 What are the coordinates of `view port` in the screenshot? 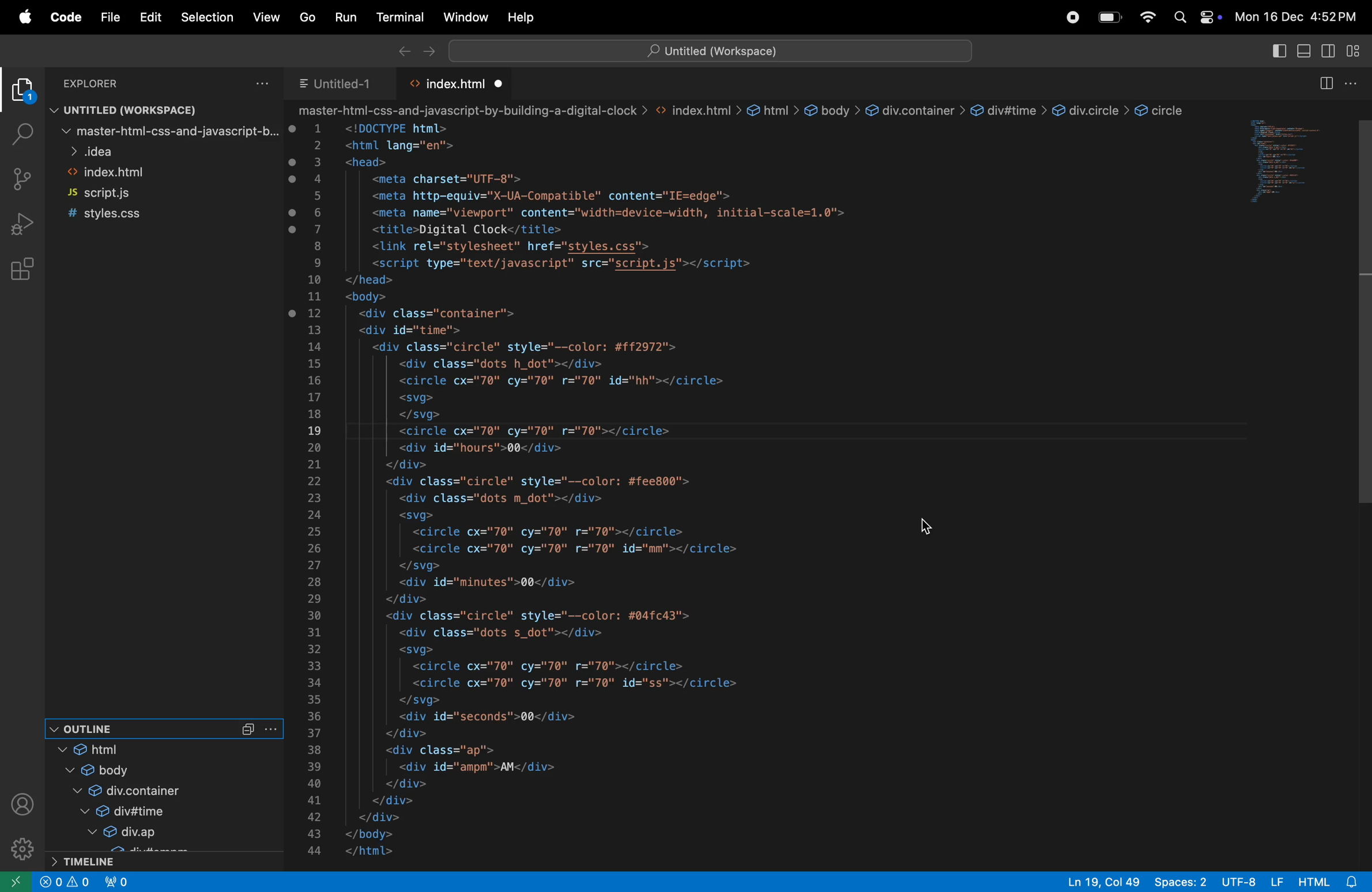 It's located at (120, 882).